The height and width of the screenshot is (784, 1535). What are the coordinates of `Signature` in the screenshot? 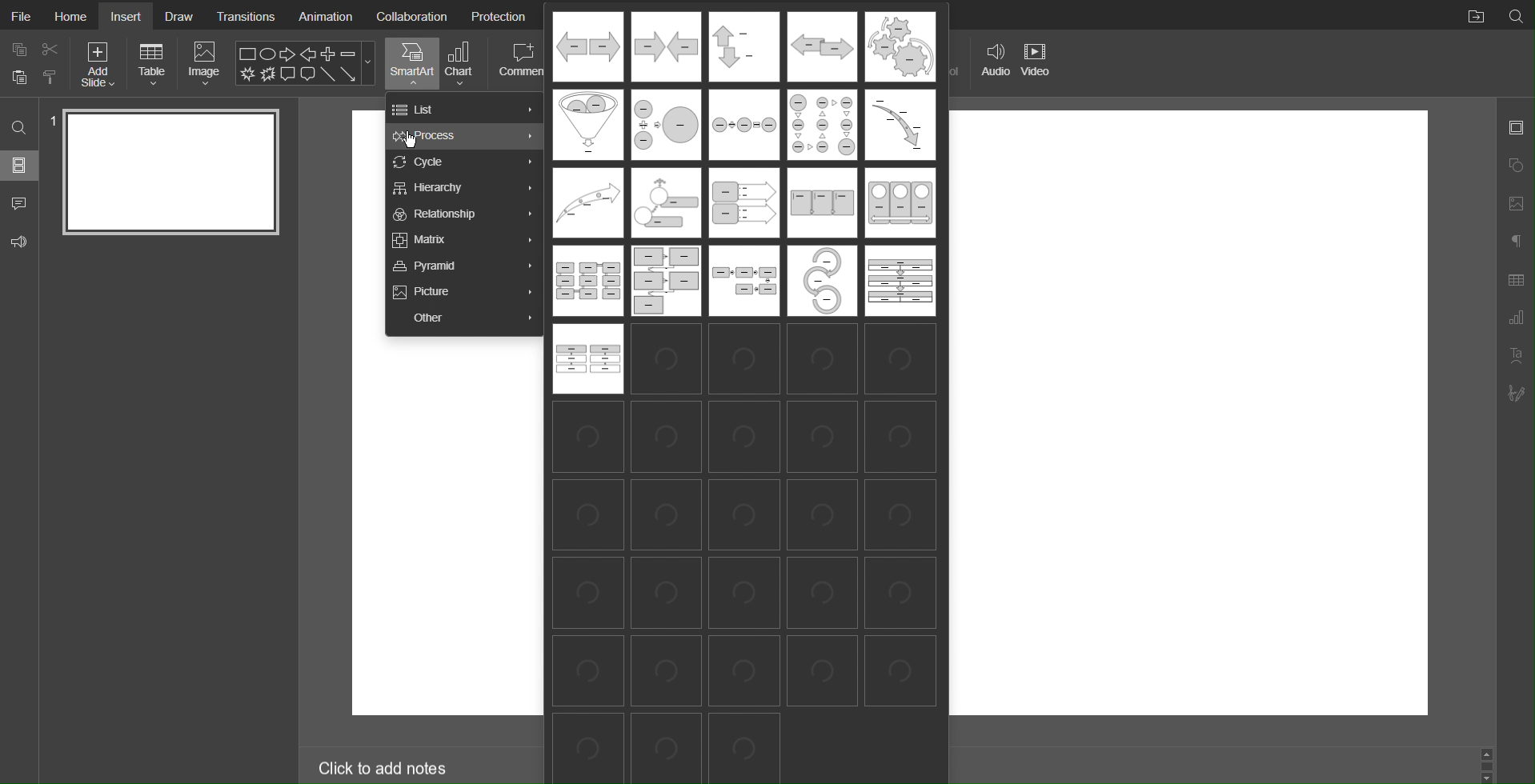 It's located at (1515, 393).